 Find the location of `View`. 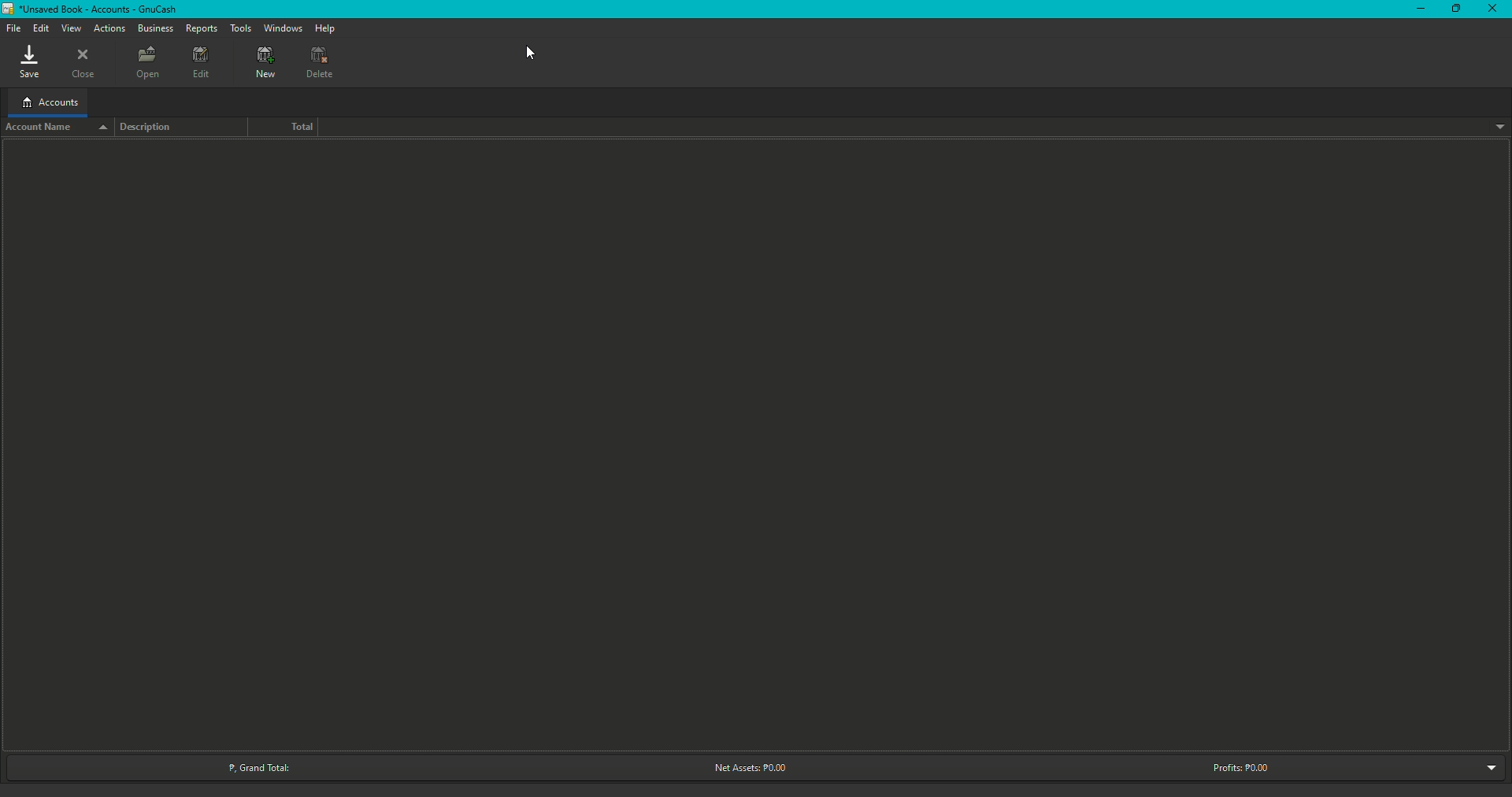

View is located at coordinates (73, 28).